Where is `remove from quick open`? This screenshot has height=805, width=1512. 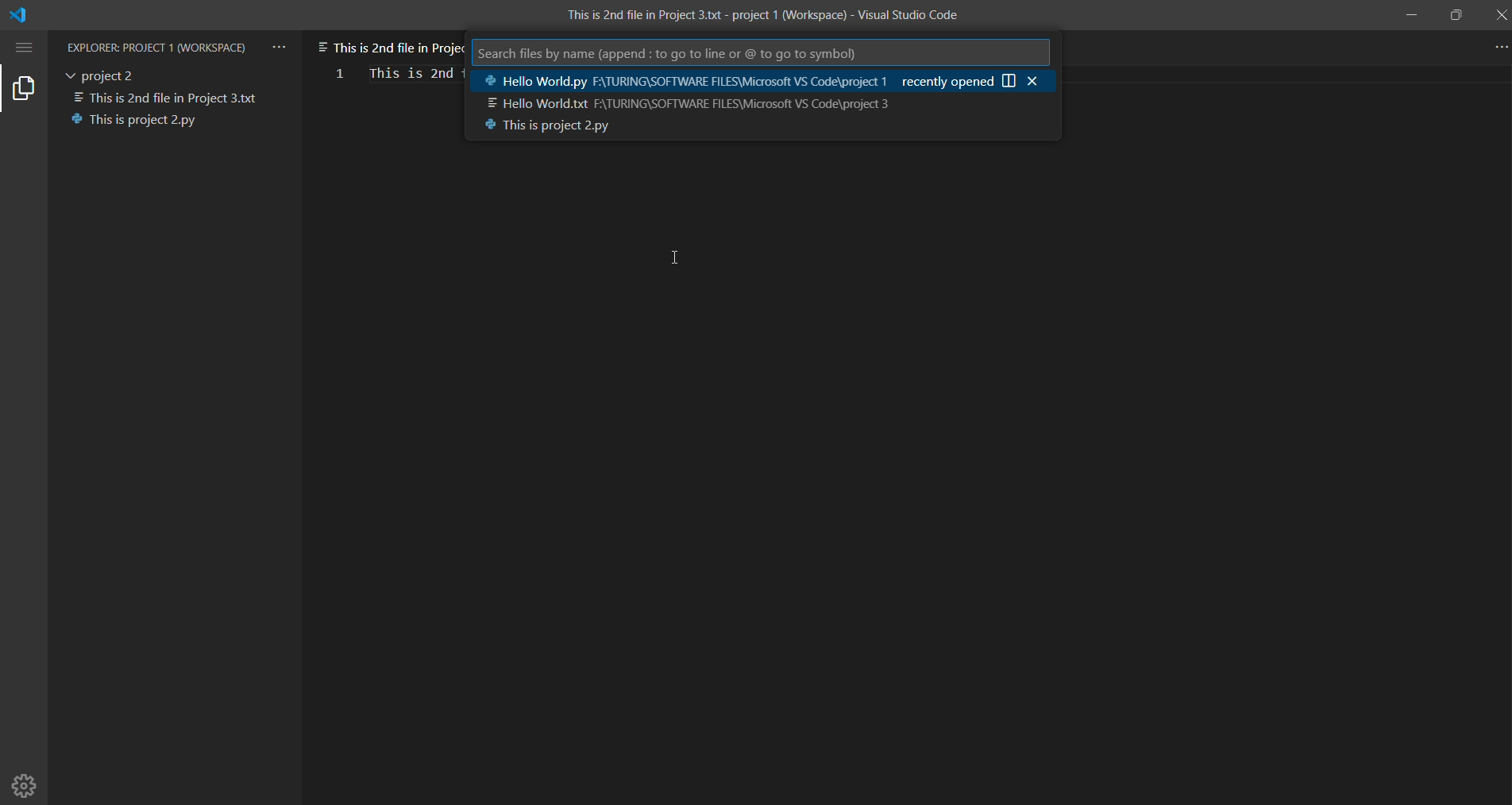
remove from quick open is located at coordinates (1036, 80).